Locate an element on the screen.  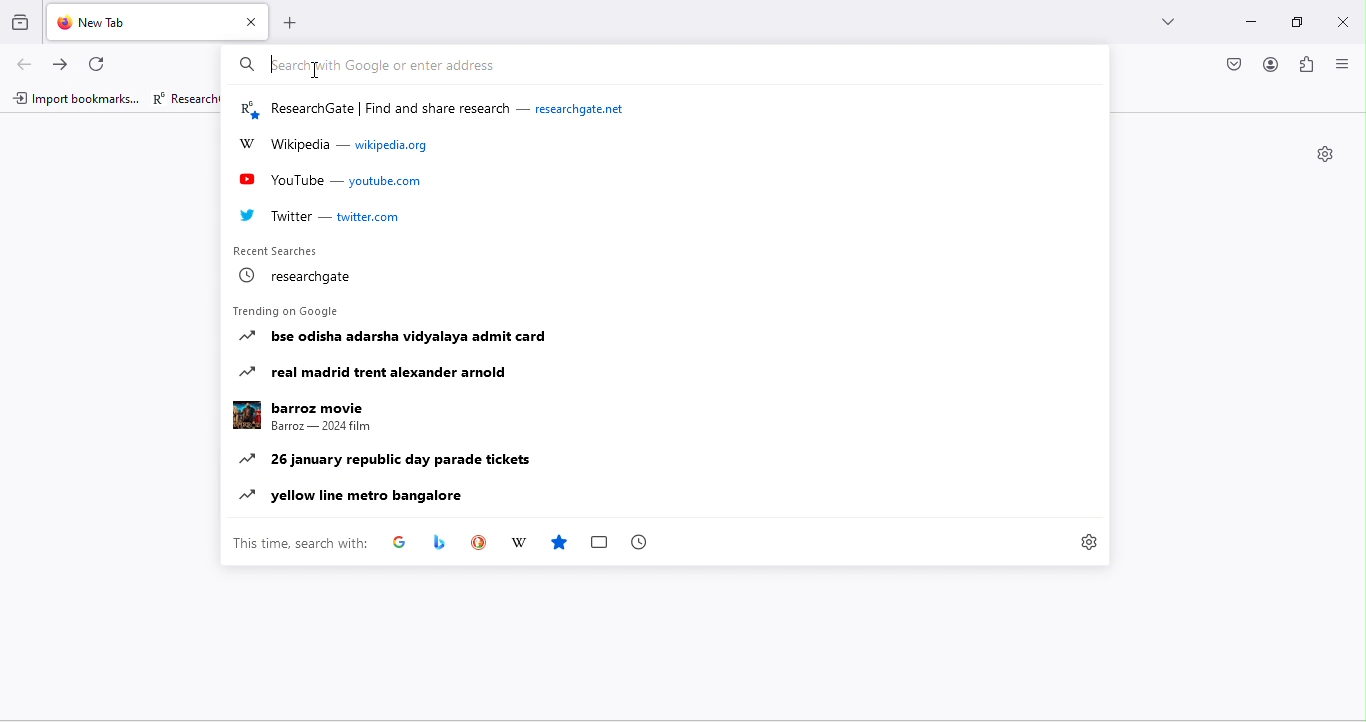
favourites is located at coordinates (559, 544).